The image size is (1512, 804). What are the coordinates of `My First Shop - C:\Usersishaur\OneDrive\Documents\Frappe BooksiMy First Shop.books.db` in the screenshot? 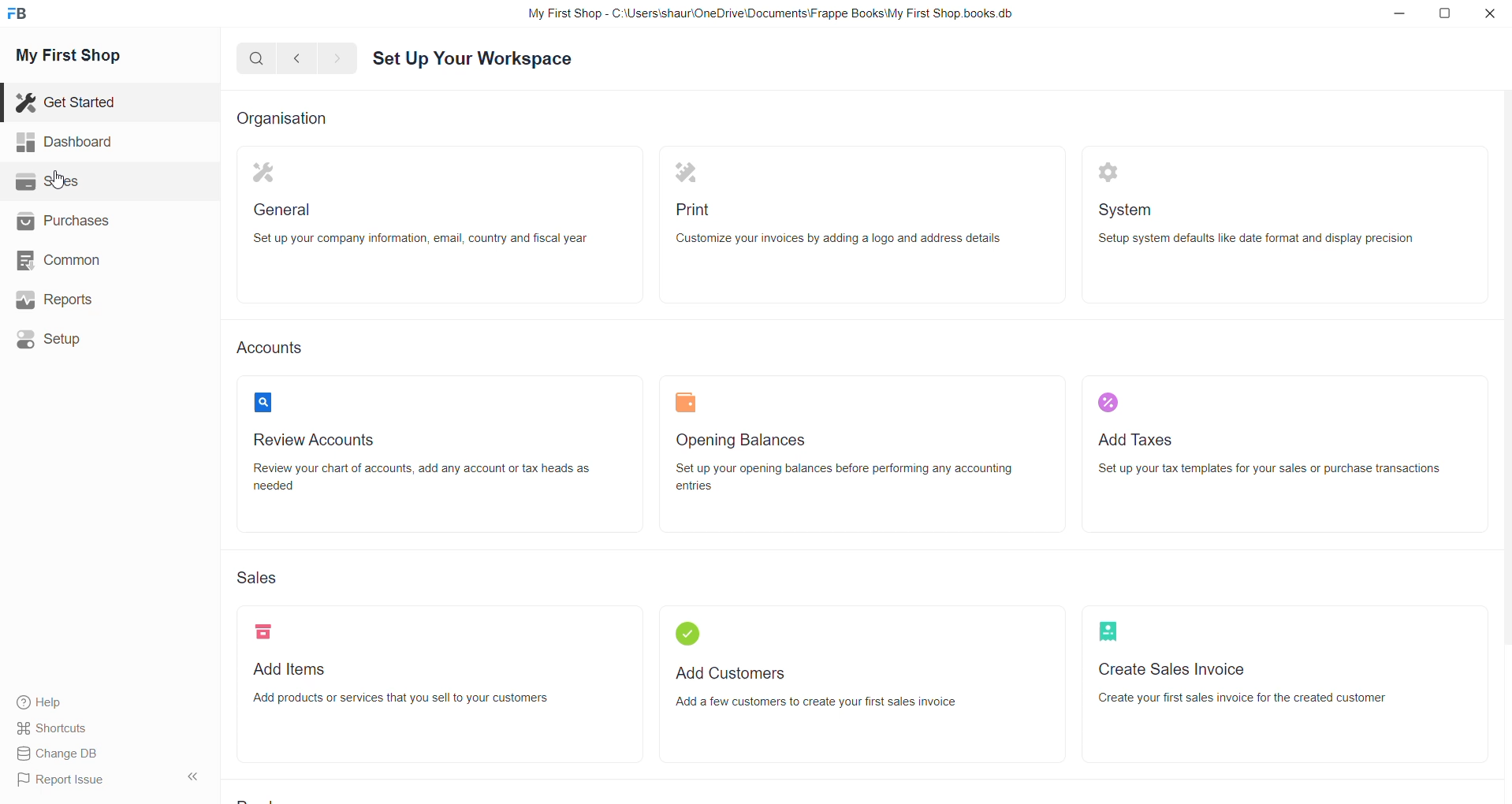 It's located at (769, 13).